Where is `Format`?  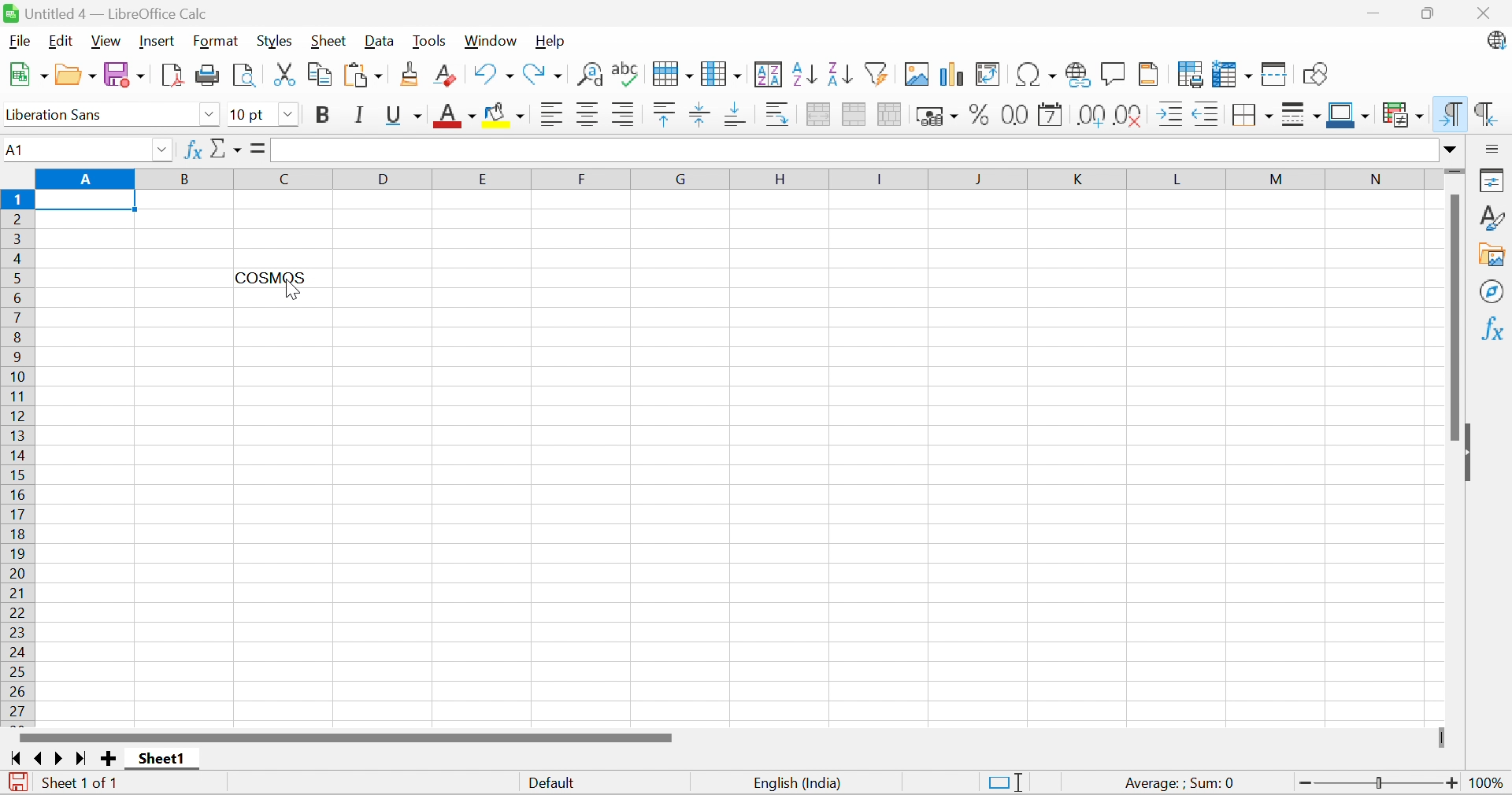 Format is located at coordinates (216, 41).